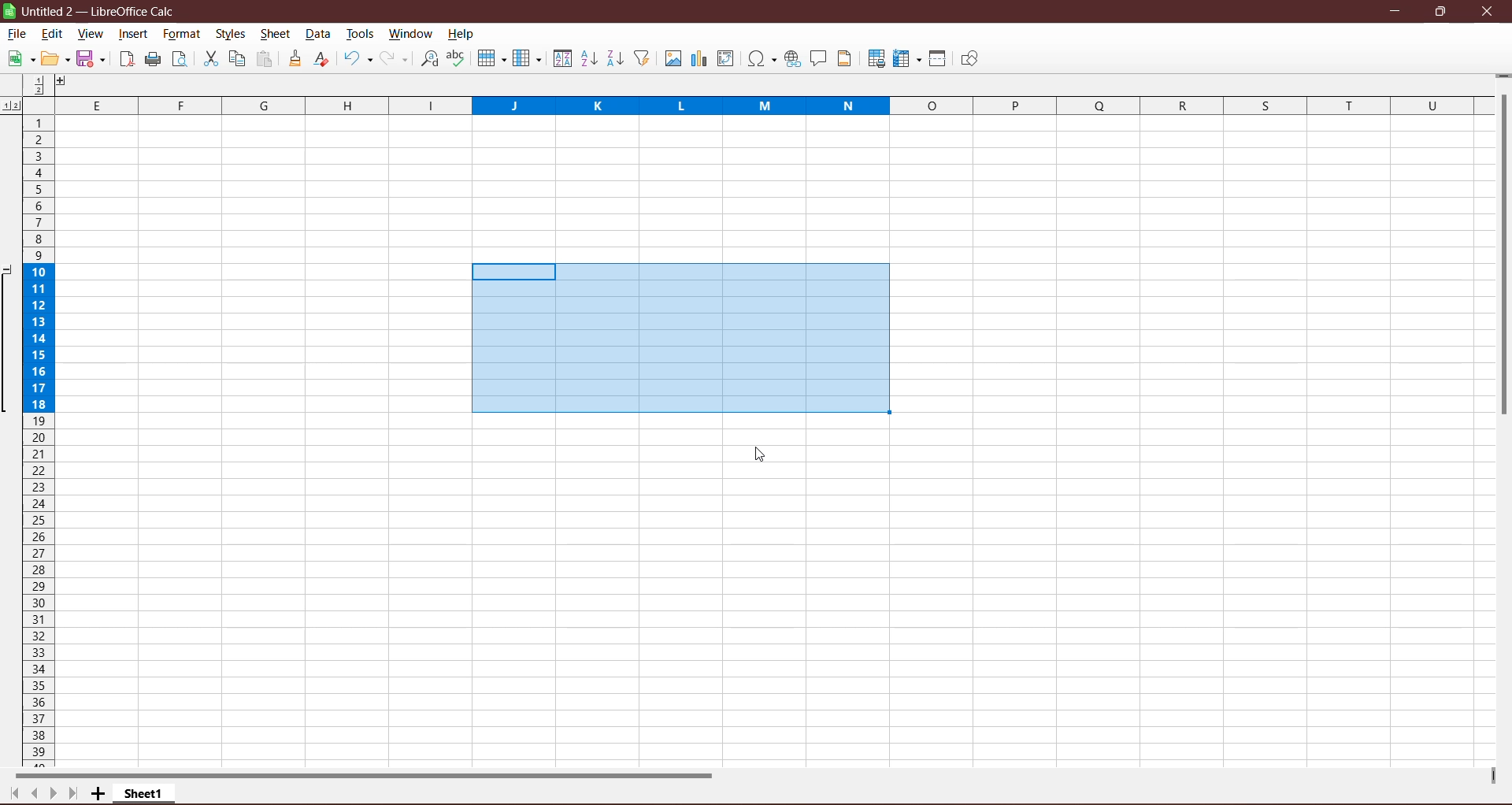  I want to click on Sheet Name, so click(146, 793).